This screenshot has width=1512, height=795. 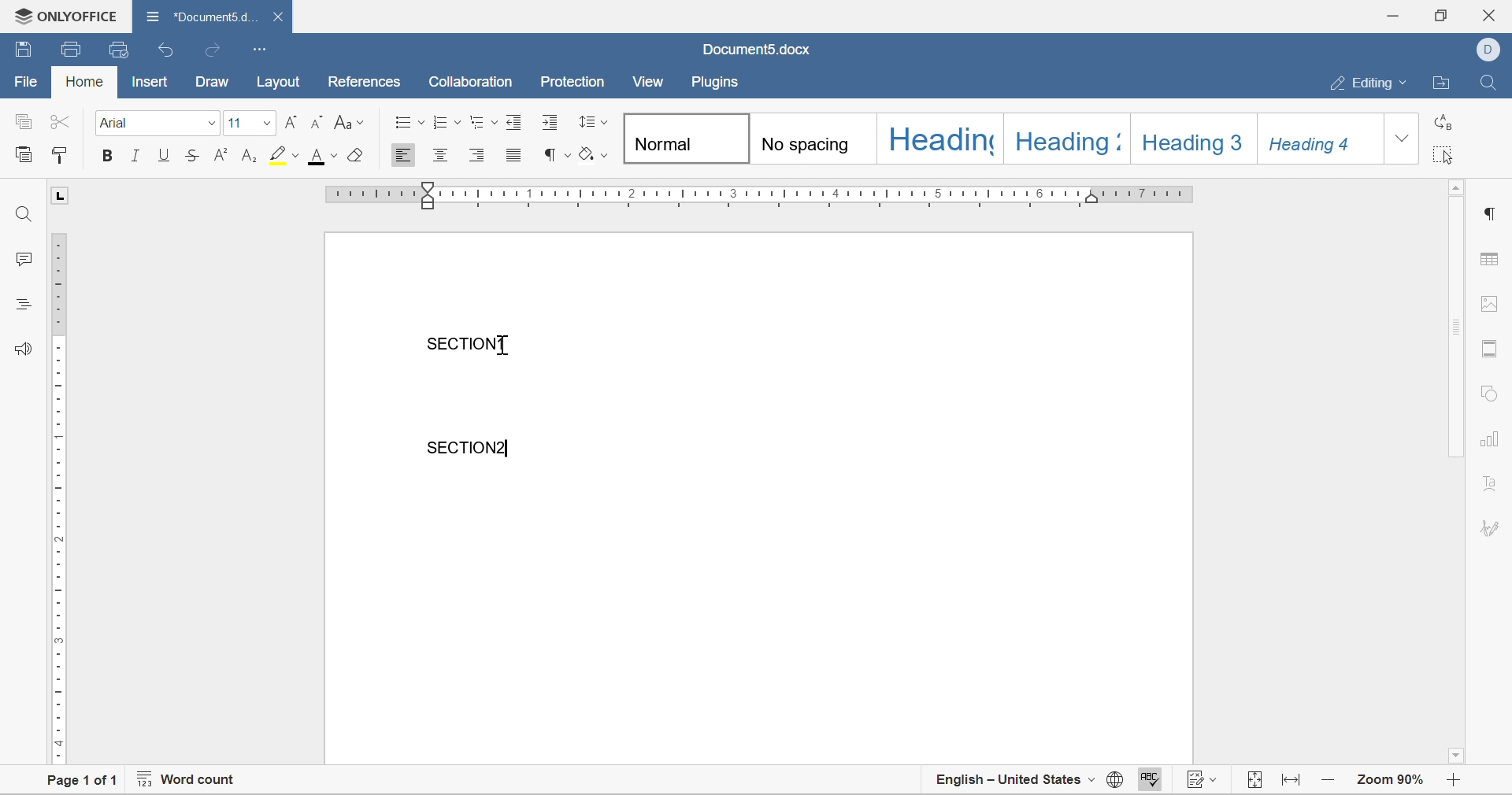 I want to click on fit to width, so click(x=1293, y=785).